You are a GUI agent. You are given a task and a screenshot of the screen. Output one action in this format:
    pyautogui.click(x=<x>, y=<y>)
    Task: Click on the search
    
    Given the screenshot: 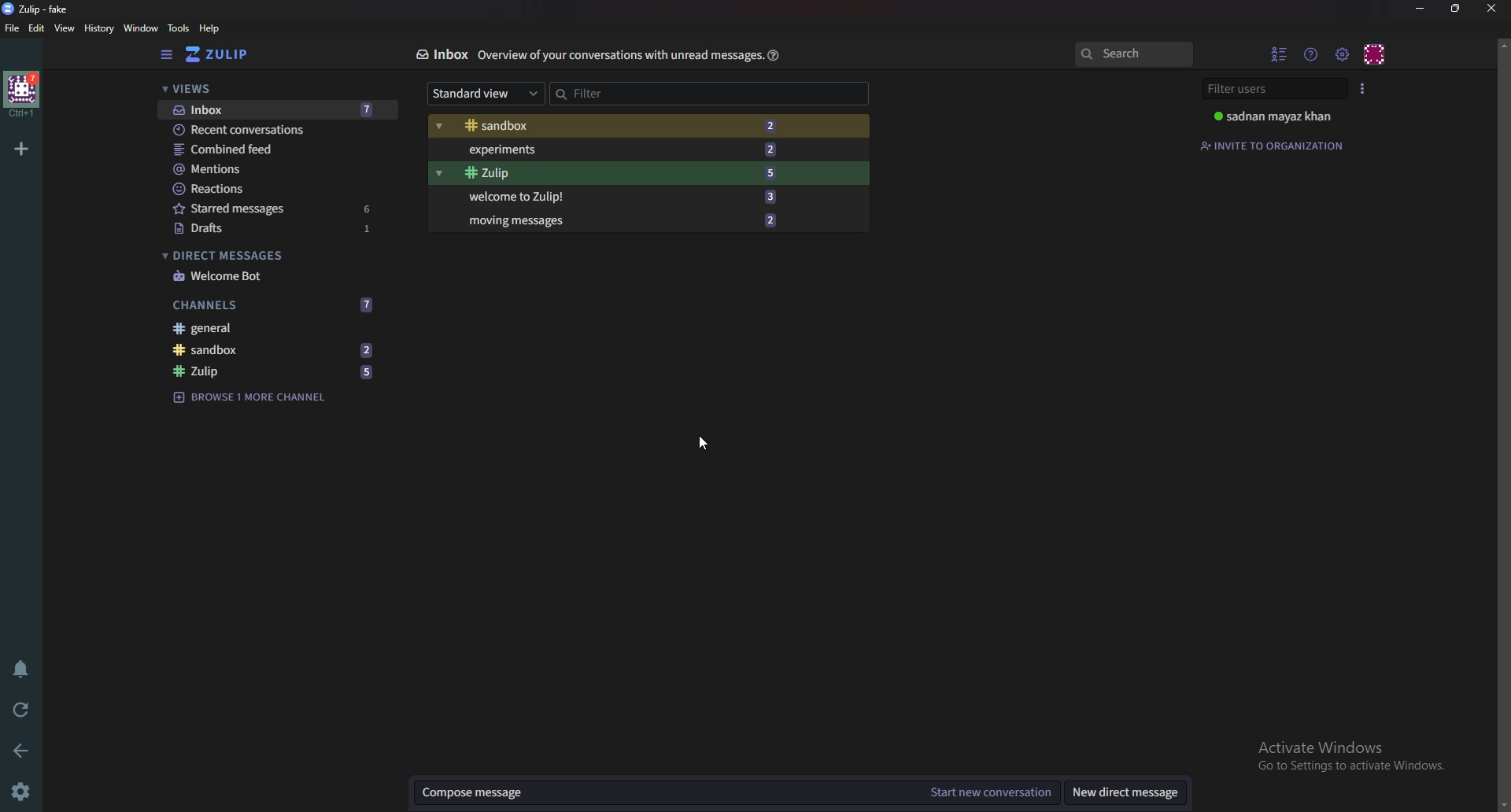 What is the action you would take?
    pyautogui.click(x=1132, y=53)
    